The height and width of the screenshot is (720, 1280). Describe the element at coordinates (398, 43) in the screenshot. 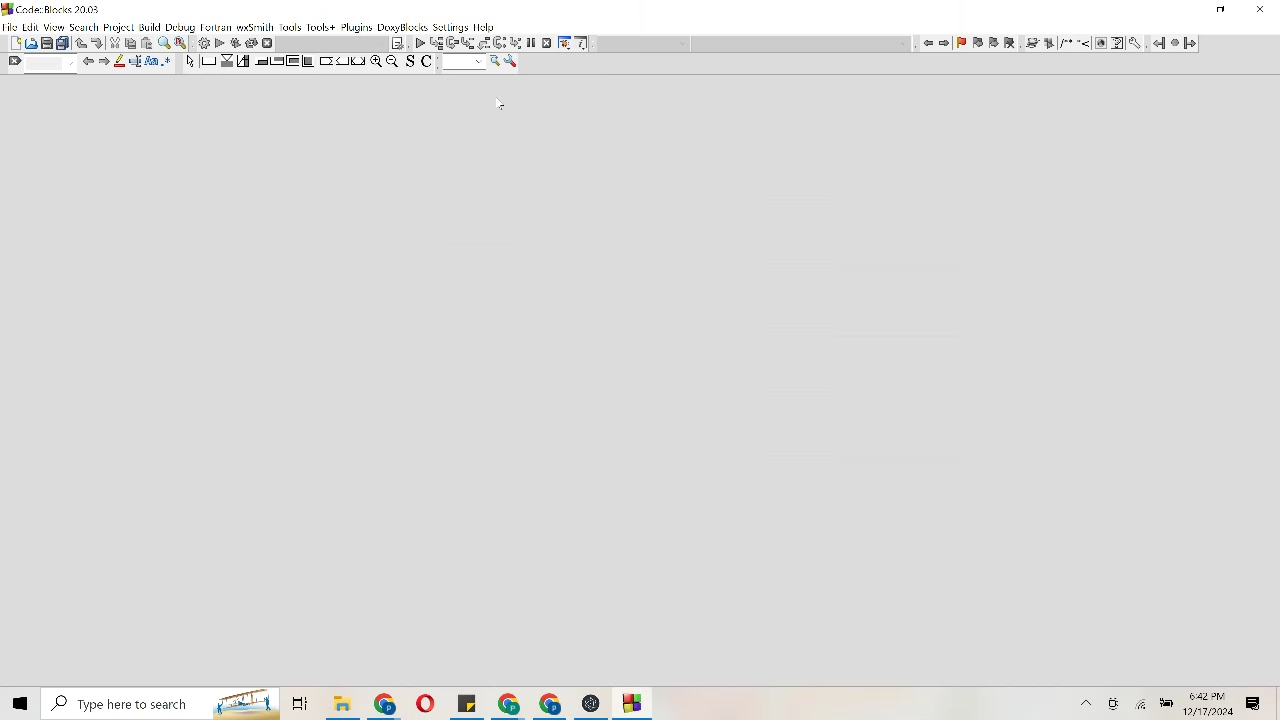

I see `Note` at that location.